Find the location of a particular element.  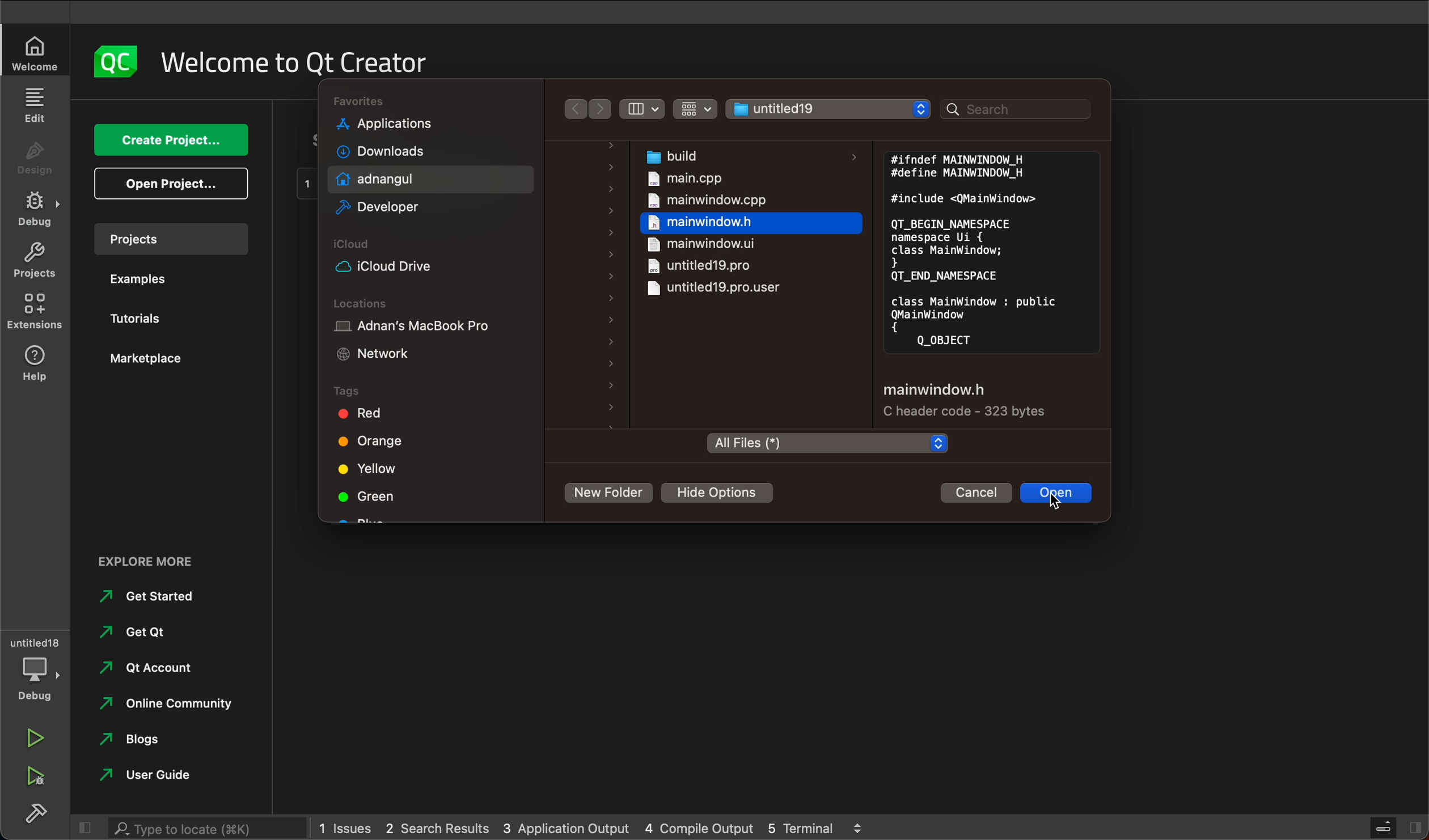

get started is located at coordinates (161, 596).